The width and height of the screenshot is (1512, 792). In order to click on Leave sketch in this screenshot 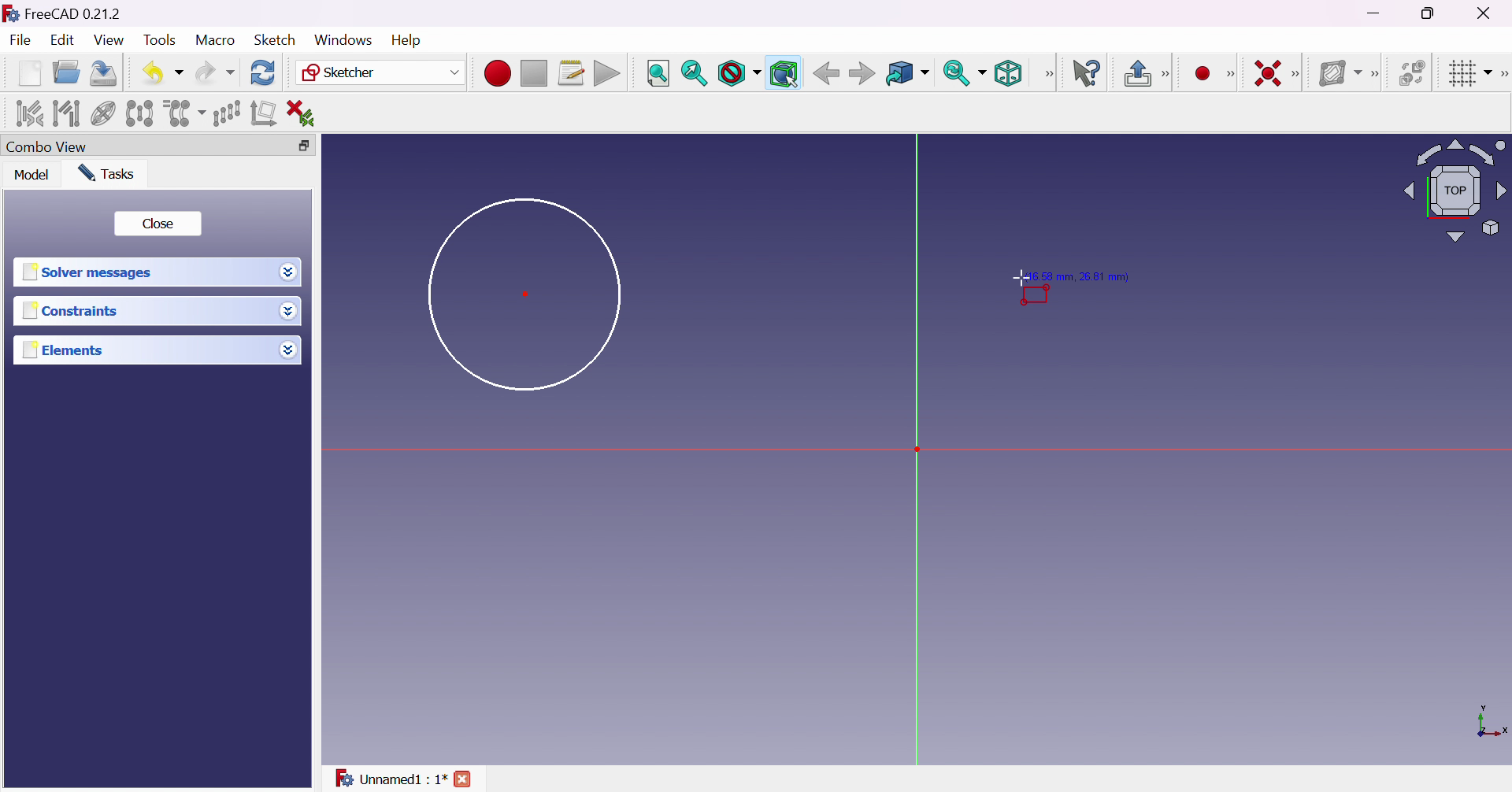, I will do `click(1147, 73)`.